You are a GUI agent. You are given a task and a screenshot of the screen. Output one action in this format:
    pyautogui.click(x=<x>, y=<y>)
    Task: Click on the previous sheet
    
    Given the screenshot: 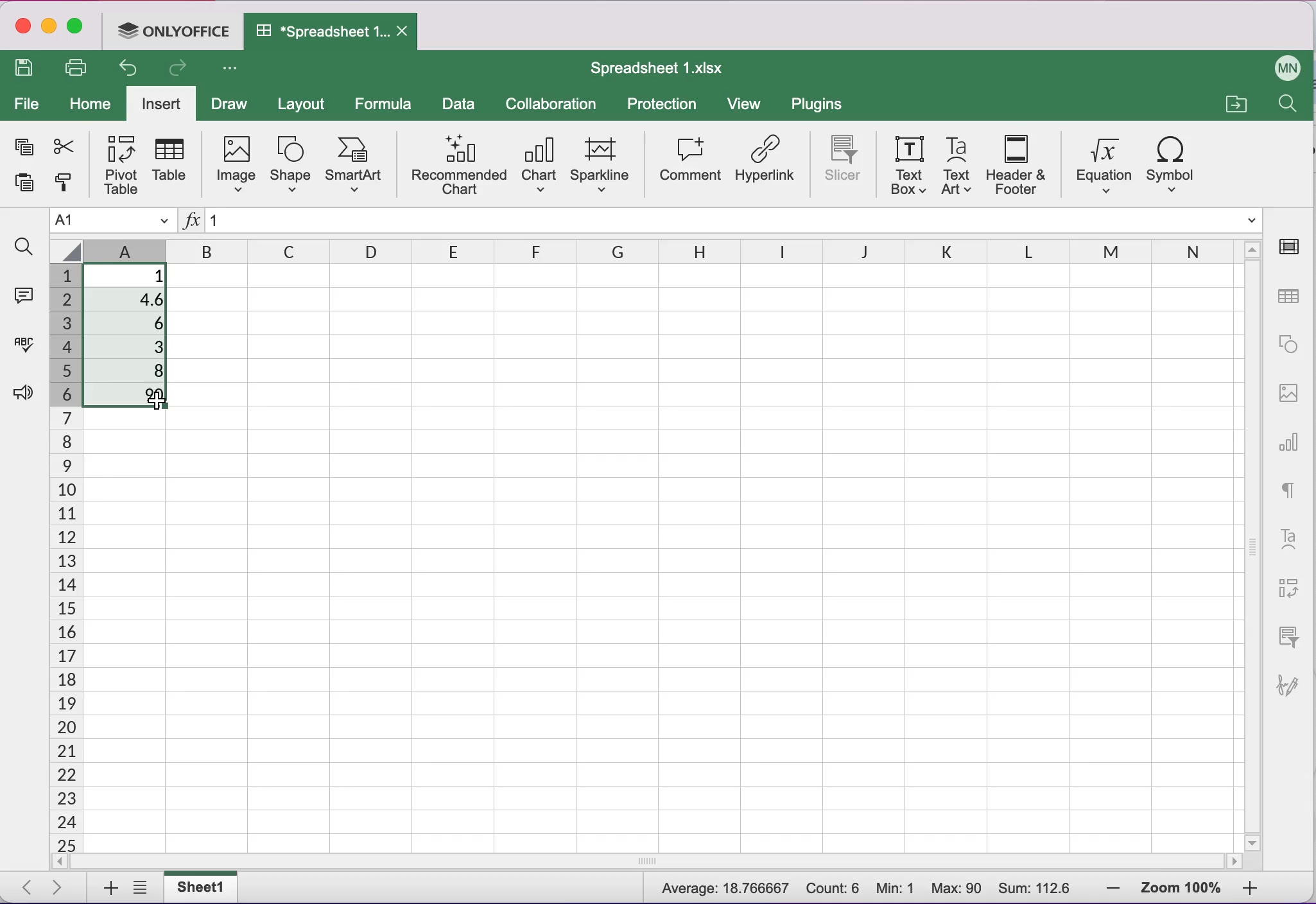 What is the action you would take?
    pyautogui.click(x=30, y=889)
    